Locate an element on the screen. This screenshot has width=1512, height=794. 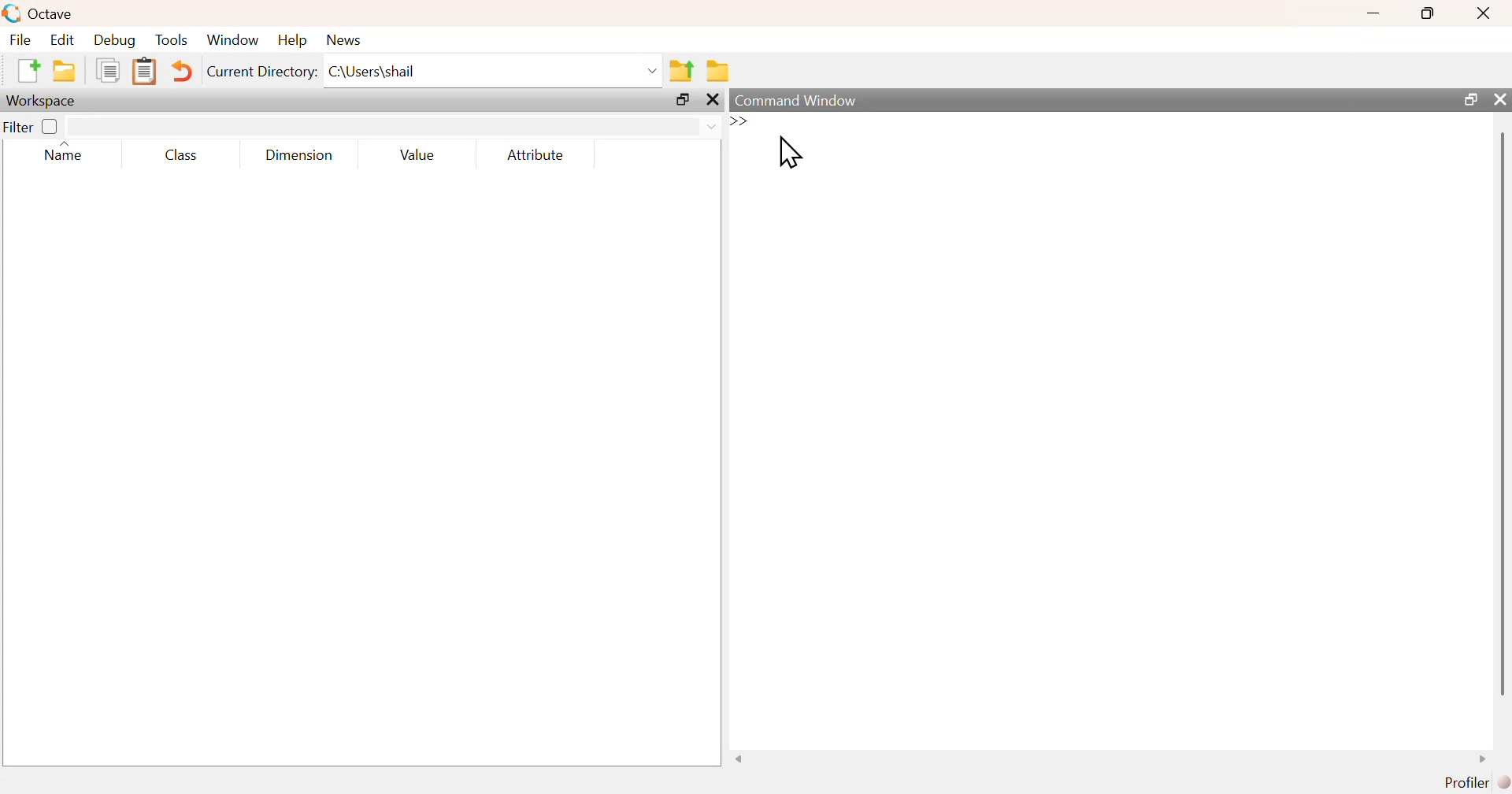
close is located at coordinates (713, 100).